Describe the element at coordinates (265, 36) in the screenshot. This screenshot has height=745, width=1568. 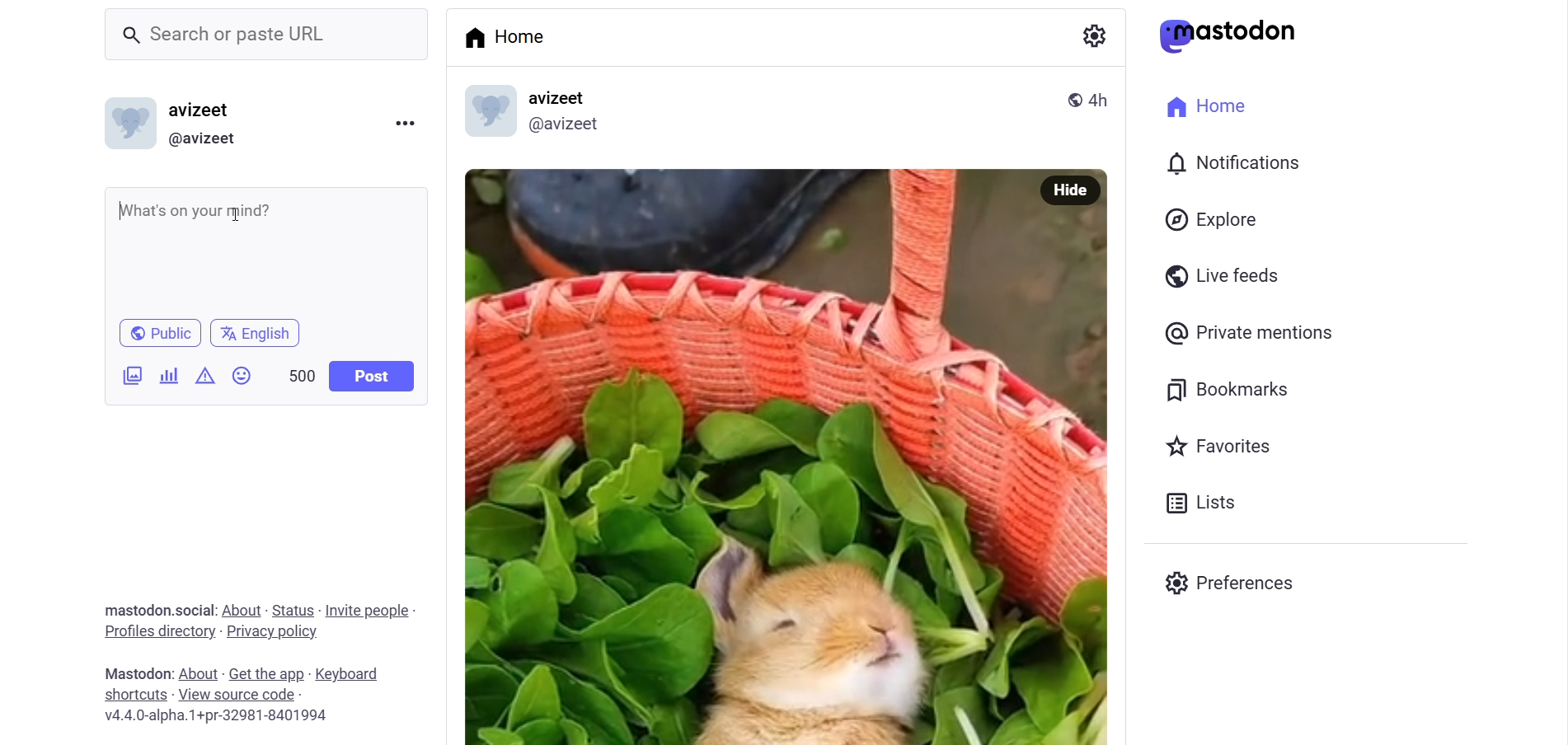
I see `Search or paste URL` at that location.